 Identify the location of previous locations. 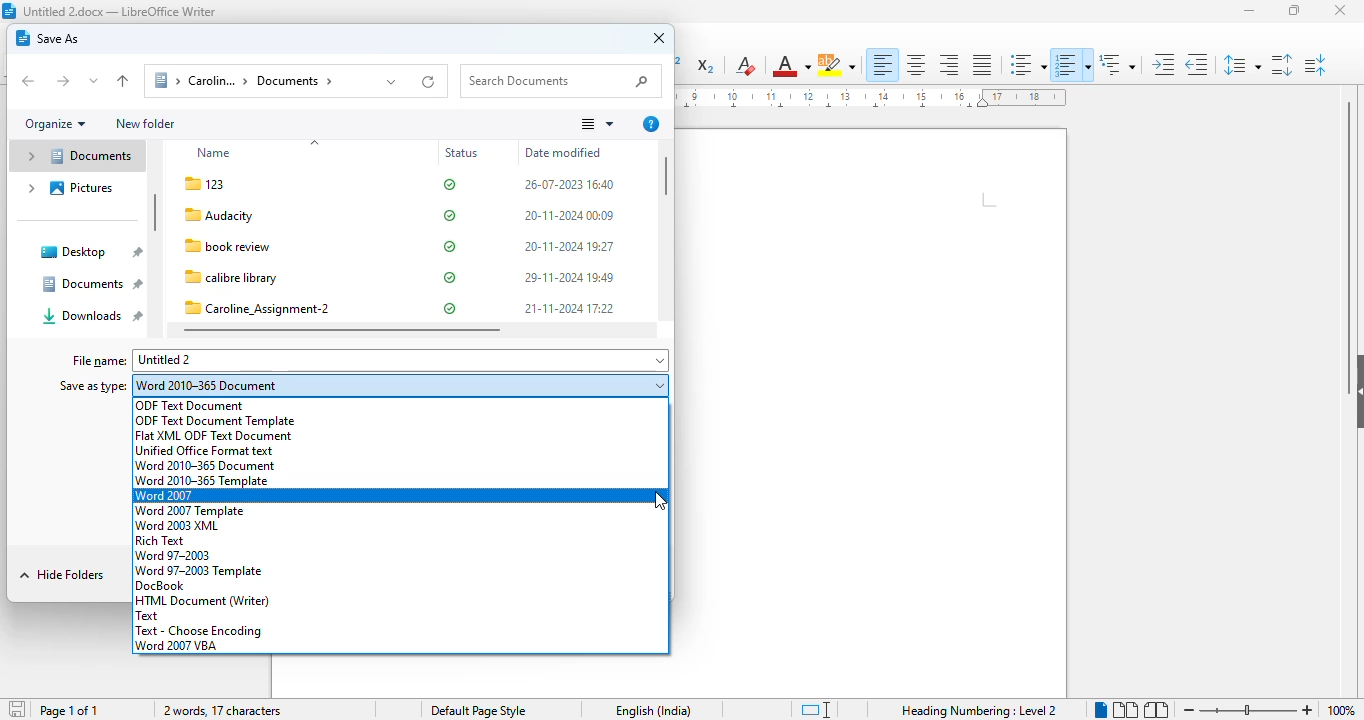
(392, 81).